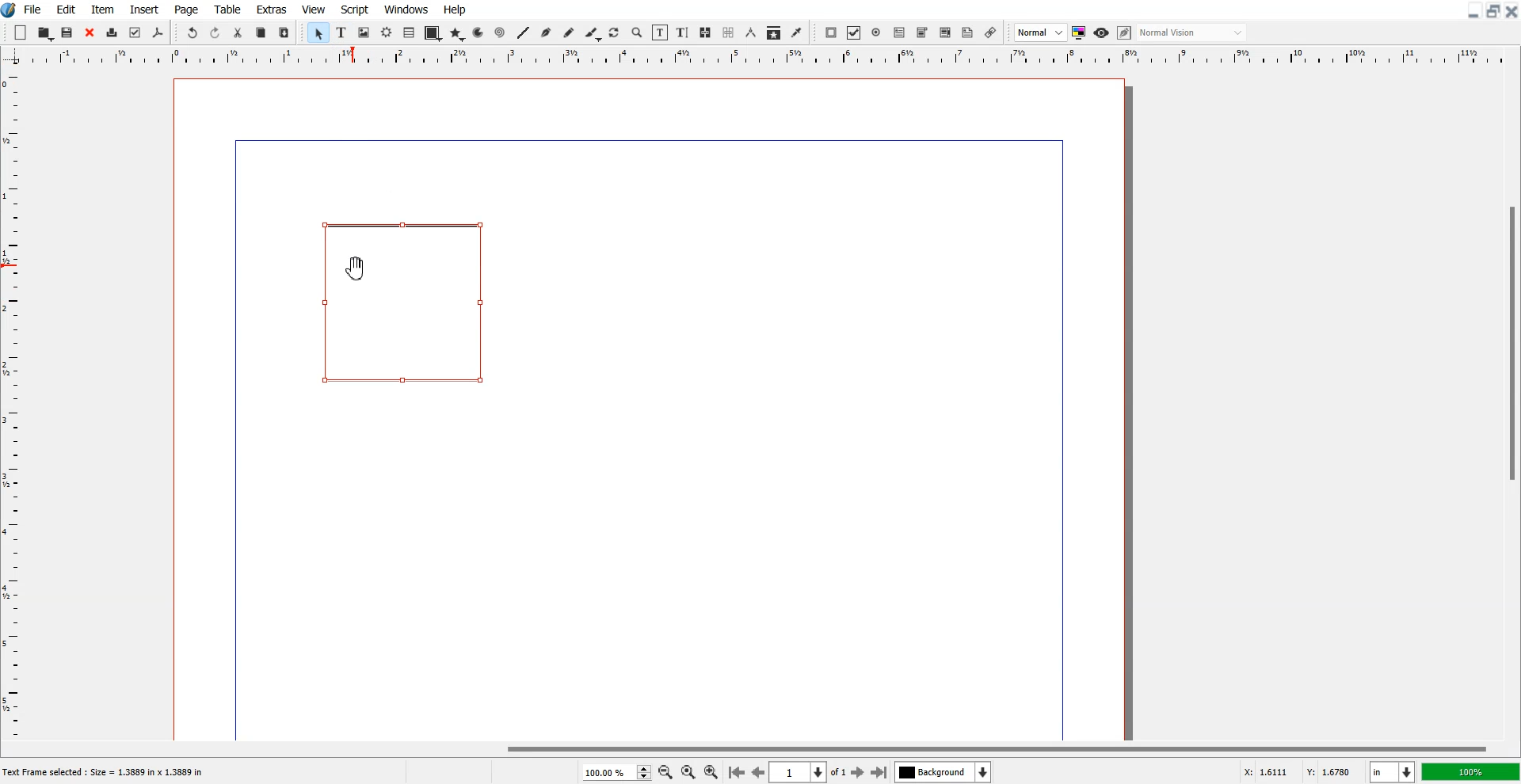 The image size is (1521, 784). Describe the element at coordinates (355, 9) in the screenshot. I see `Script` at that location.